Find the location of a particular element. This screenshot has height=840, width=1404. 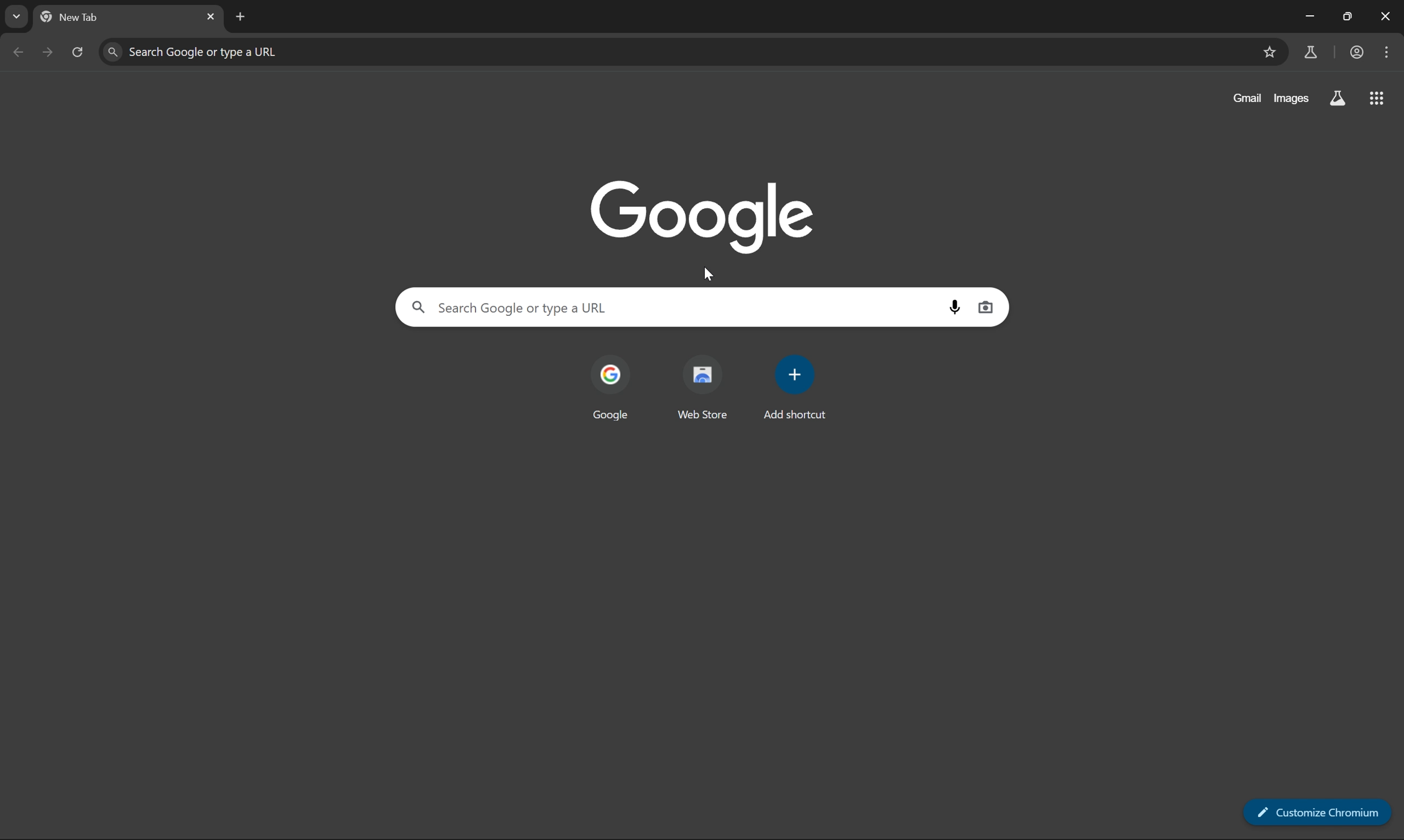

web store is located at coordinates (702, 389).